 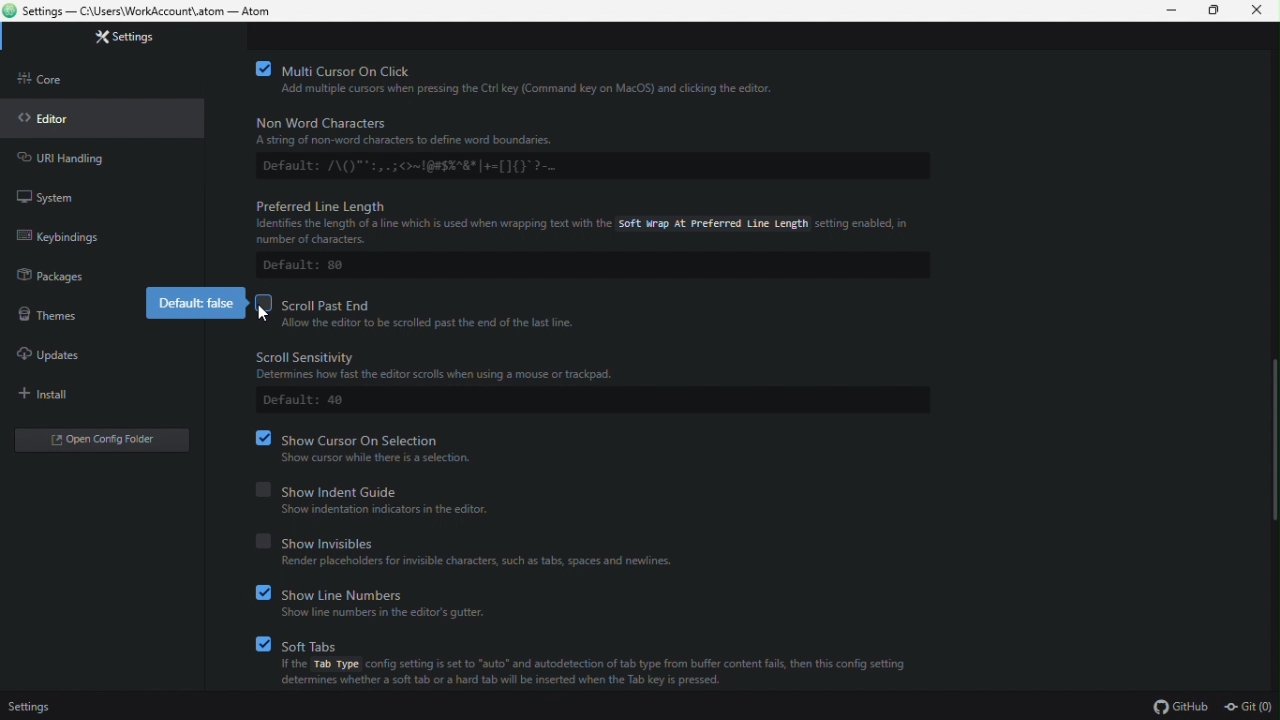 I want to click on Settings, so click(x=47, y=706).